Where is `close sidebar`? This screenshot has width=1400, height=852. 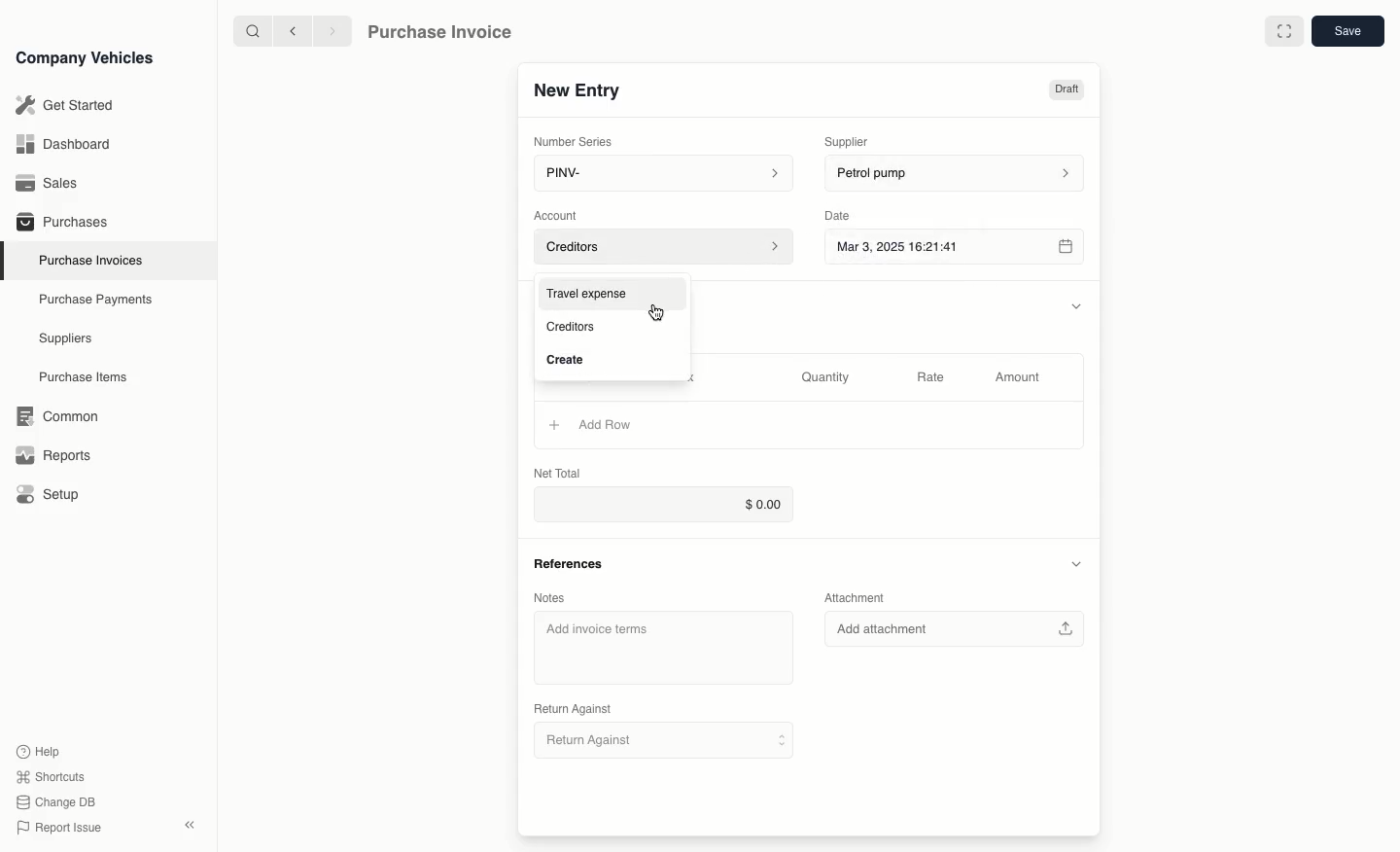
close sidebar is located at coordinates (192, 823).